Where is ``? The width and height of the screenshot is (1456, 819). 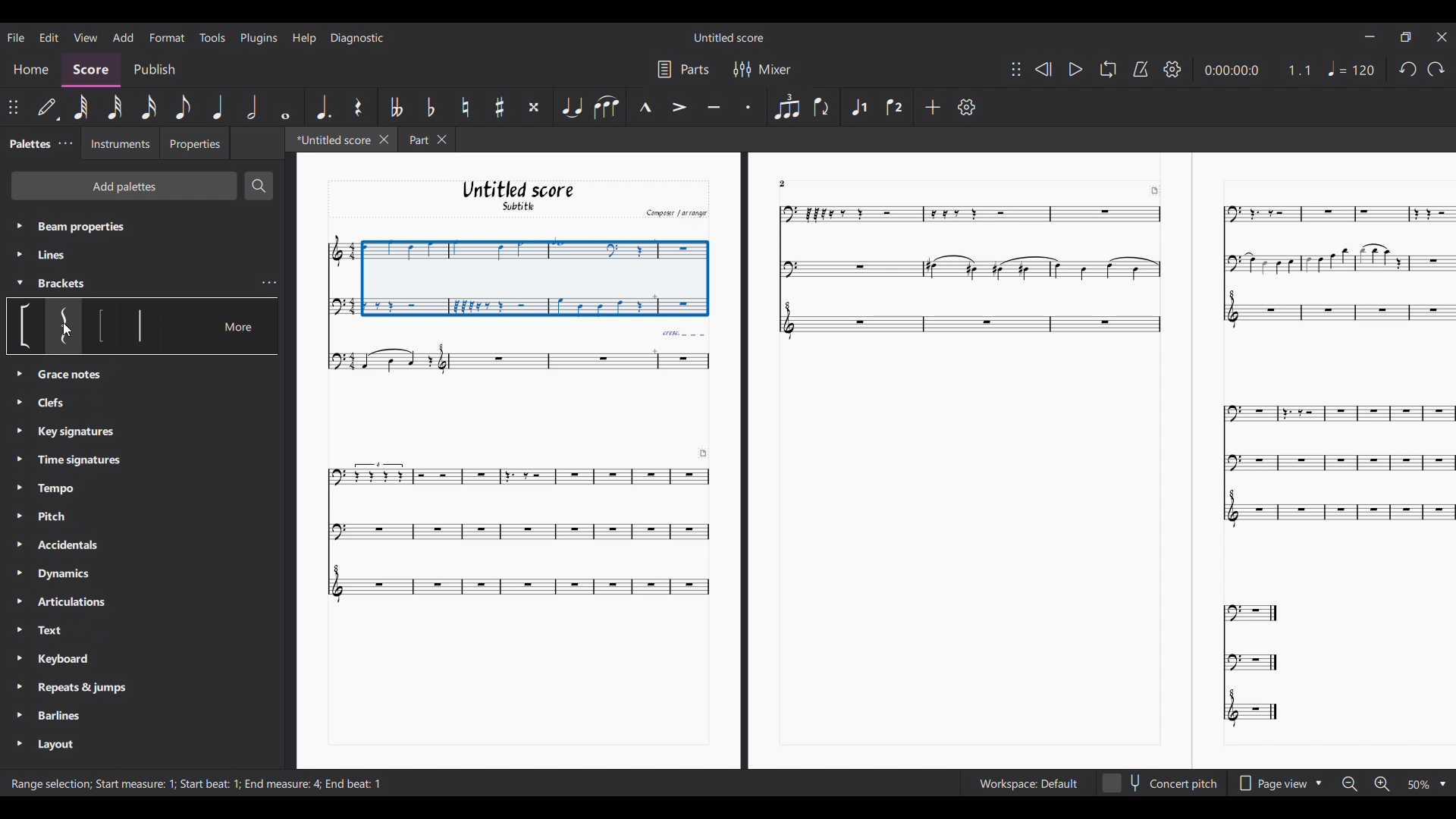  is located at coordinates (1339, 463).